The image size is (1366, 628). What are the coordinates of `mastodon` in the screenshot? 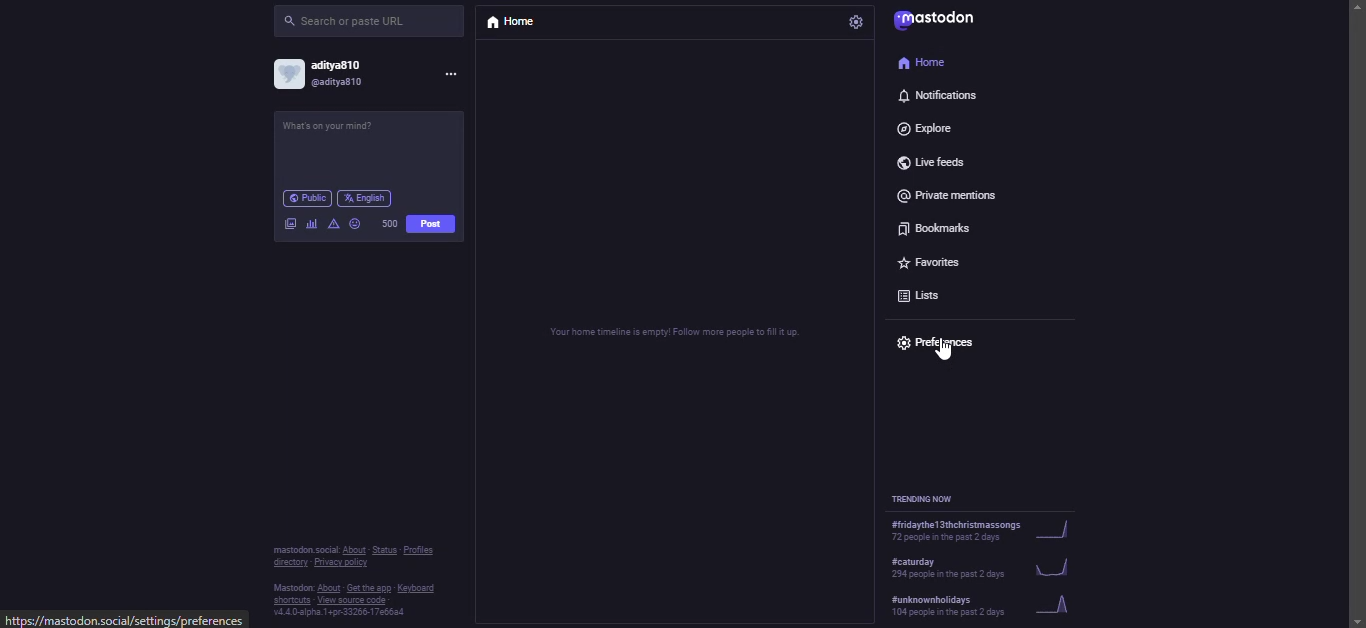 It's located at (950, 22).